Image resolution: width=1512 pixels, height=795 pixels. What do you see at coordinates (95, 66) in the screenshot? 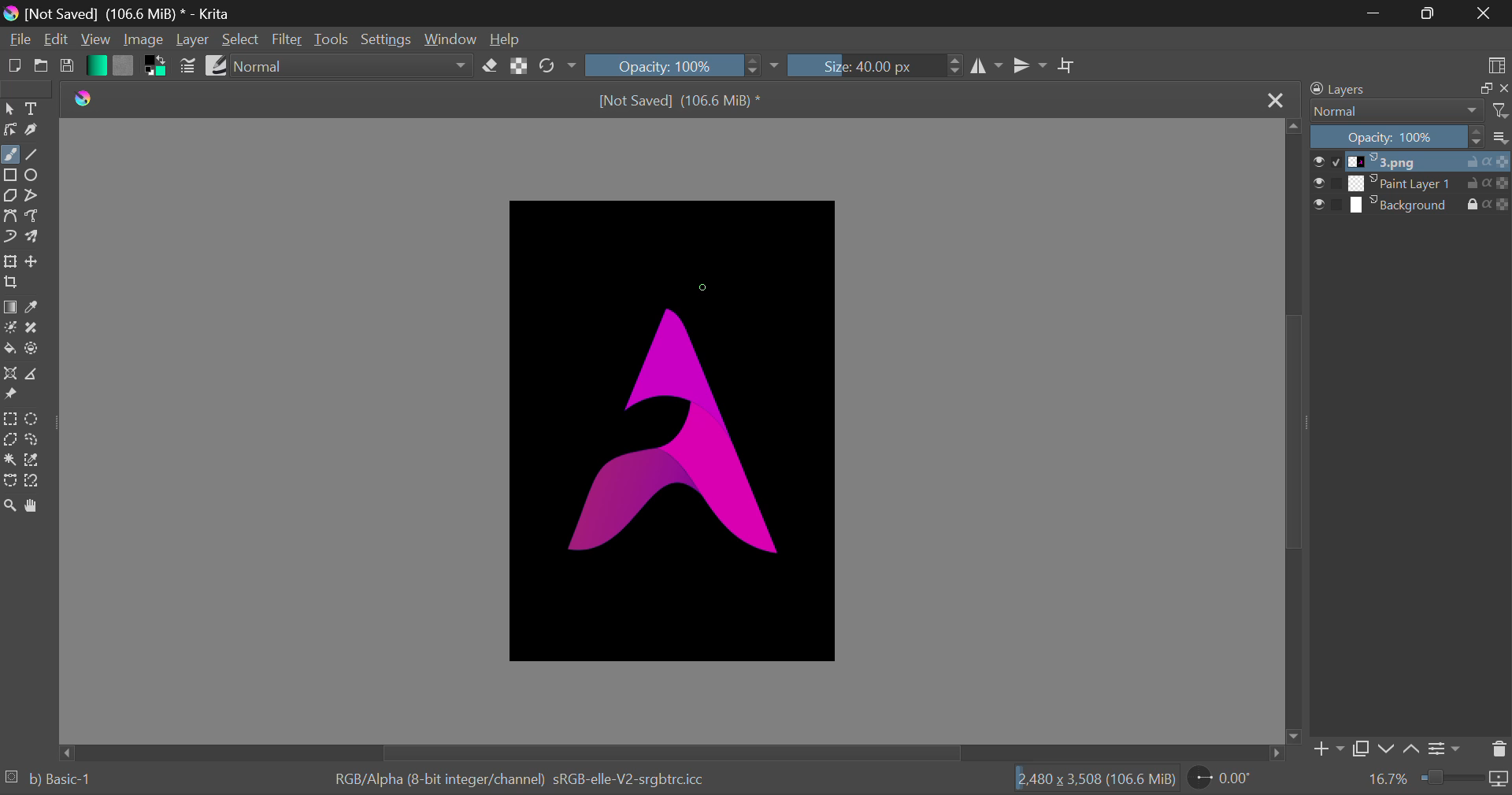
I see `Gradient` at bounding box center [95, 66].